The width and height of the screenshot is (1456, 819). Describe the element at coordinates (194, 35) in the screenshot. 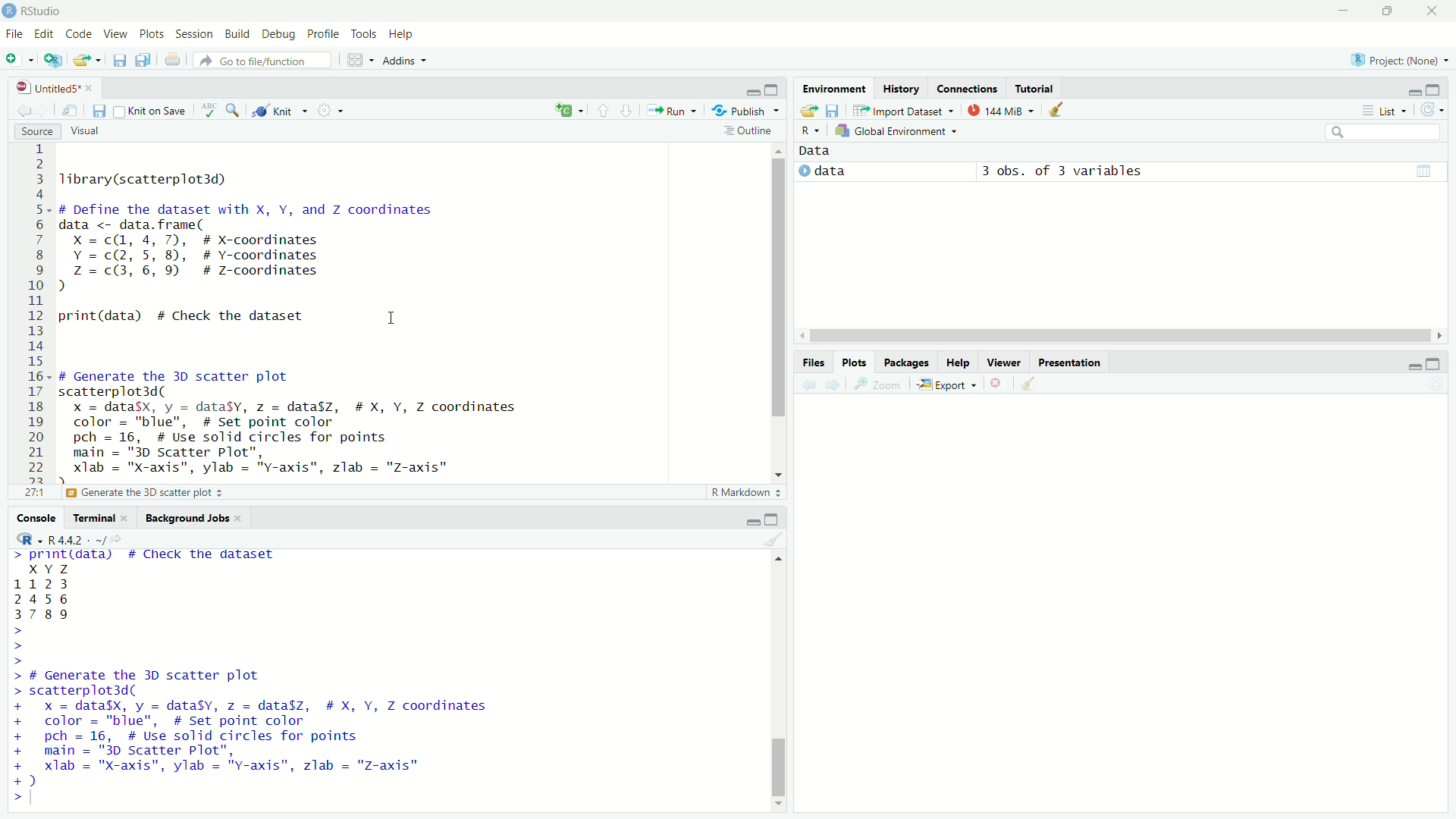

I see `Session` at that location.